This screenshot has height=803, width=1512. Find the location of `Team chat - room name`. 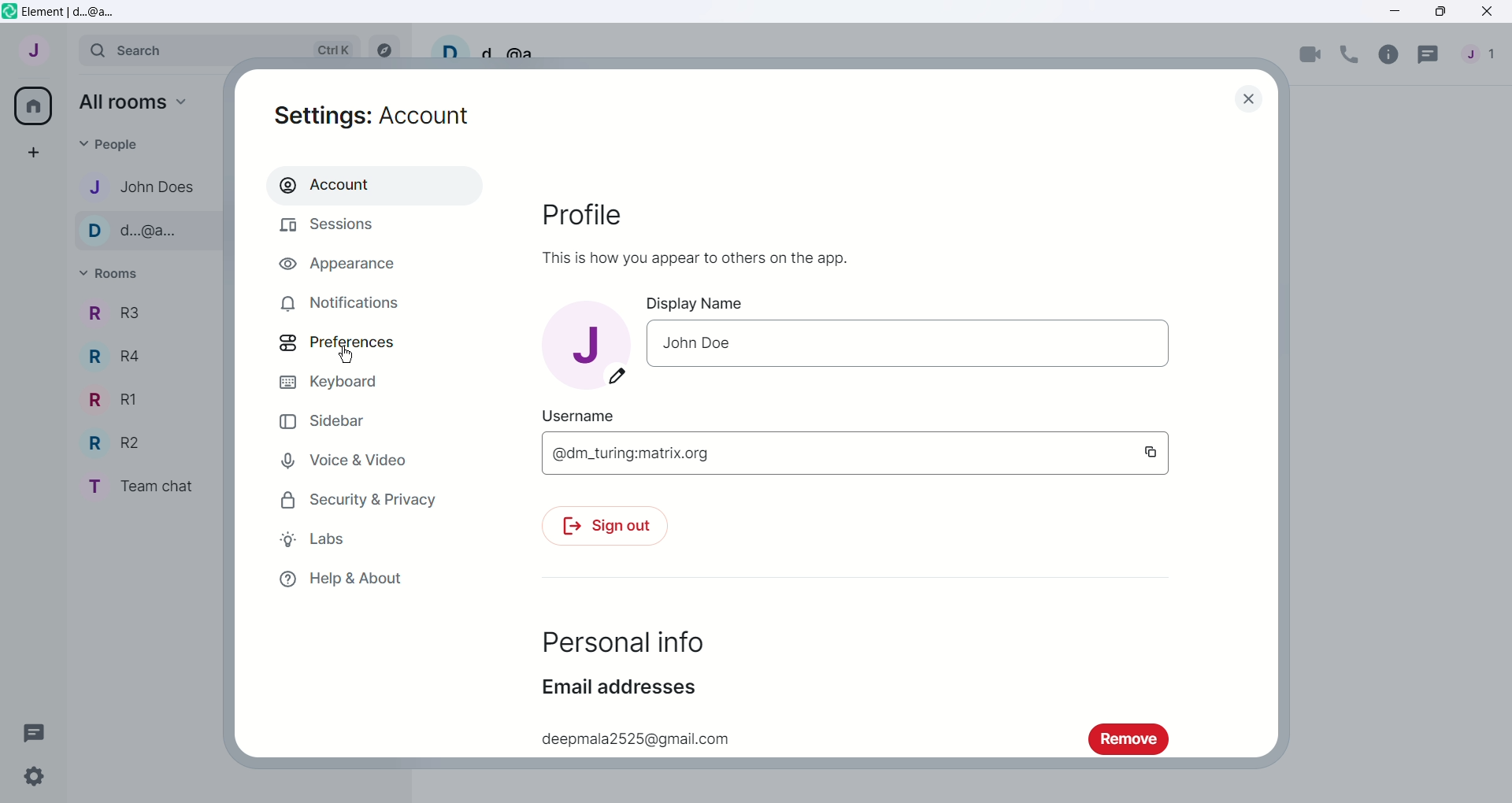

Team chat - room name is located at coordinates (148, 486).